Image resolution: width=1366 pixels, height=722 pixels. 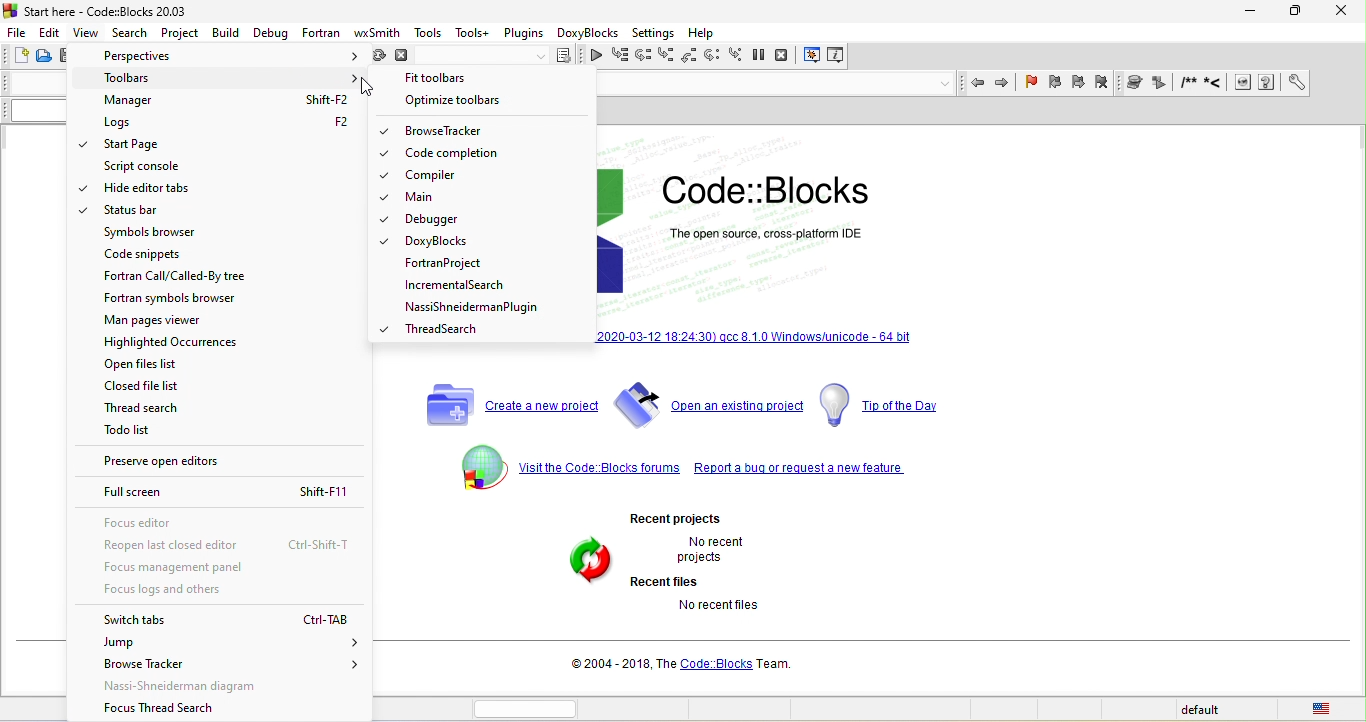 I want to click on todo list, so click(x=123, y=435).